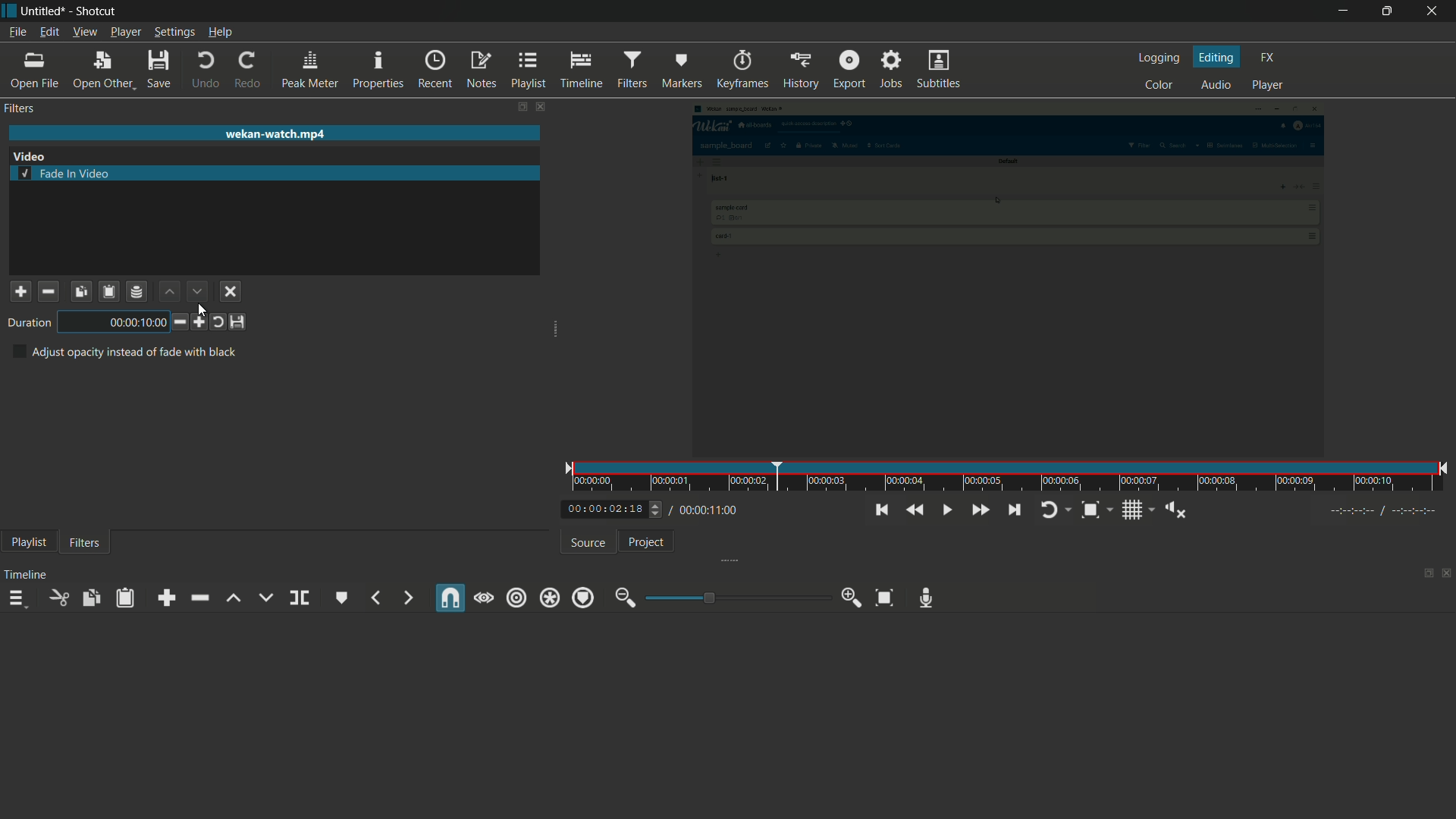  What do you see at coordinates (85, 544) in the screenshot?
I see `filters` at bounding box center [85, 544].